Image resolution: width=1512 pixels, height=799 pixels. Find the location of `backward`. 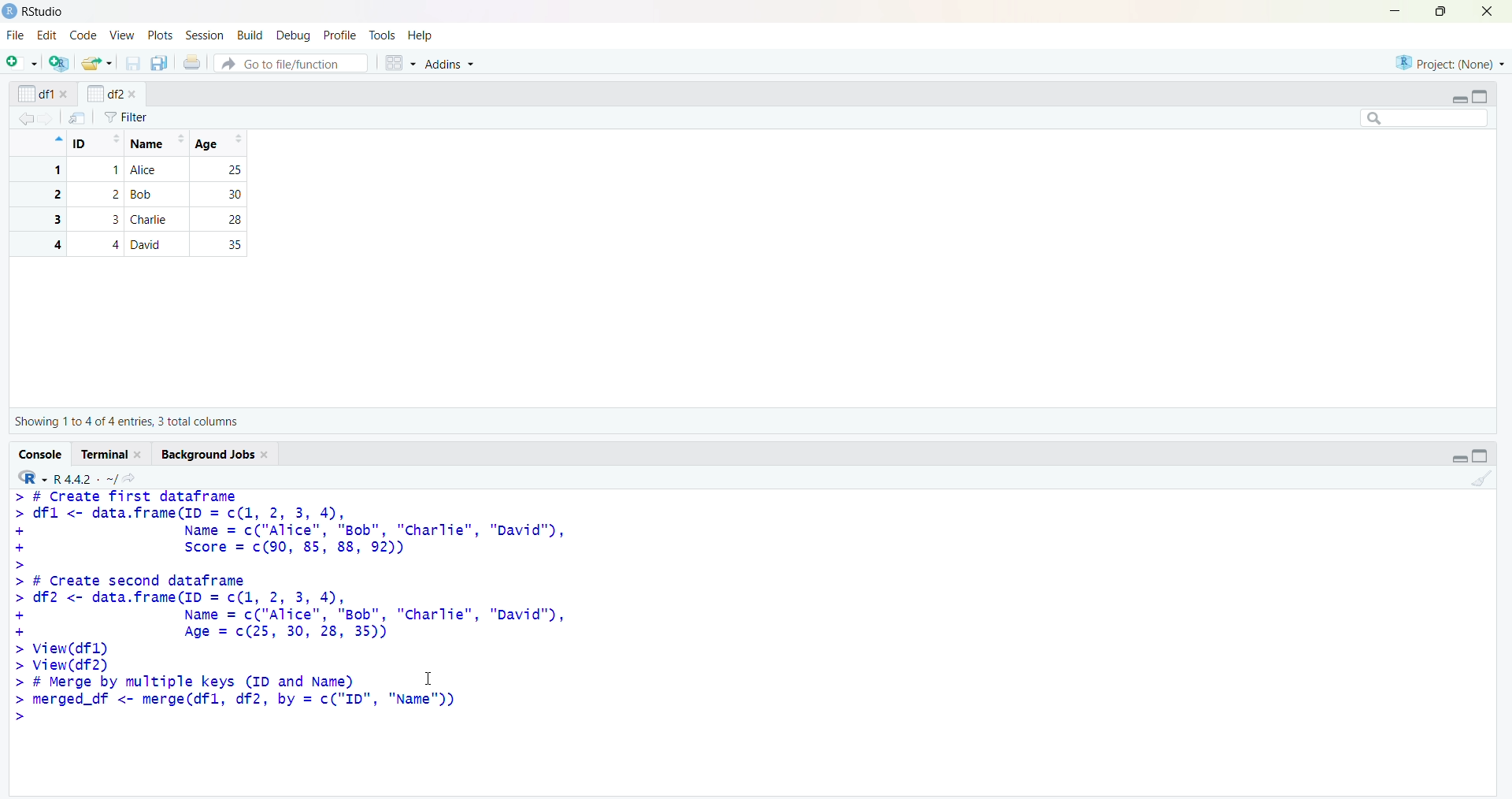

backward is located at coordinates (25, 118).